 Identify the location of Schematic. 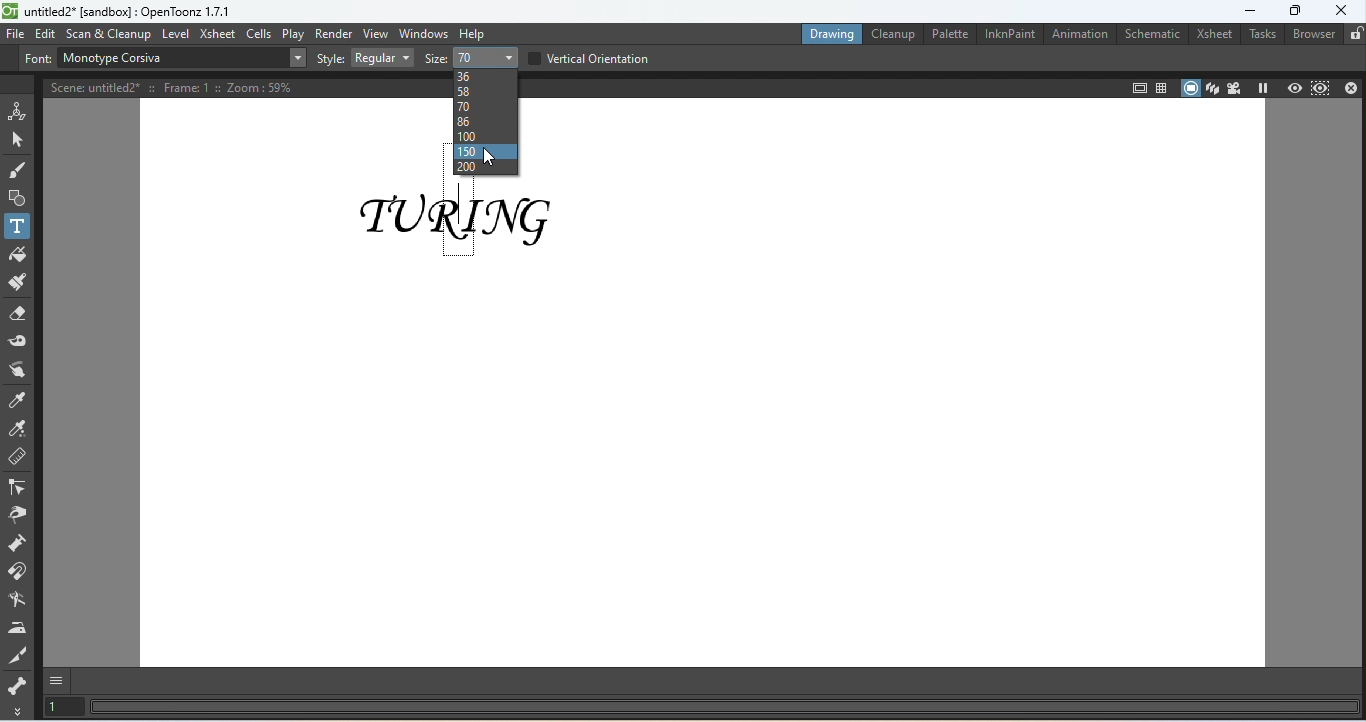
(1148, 34).